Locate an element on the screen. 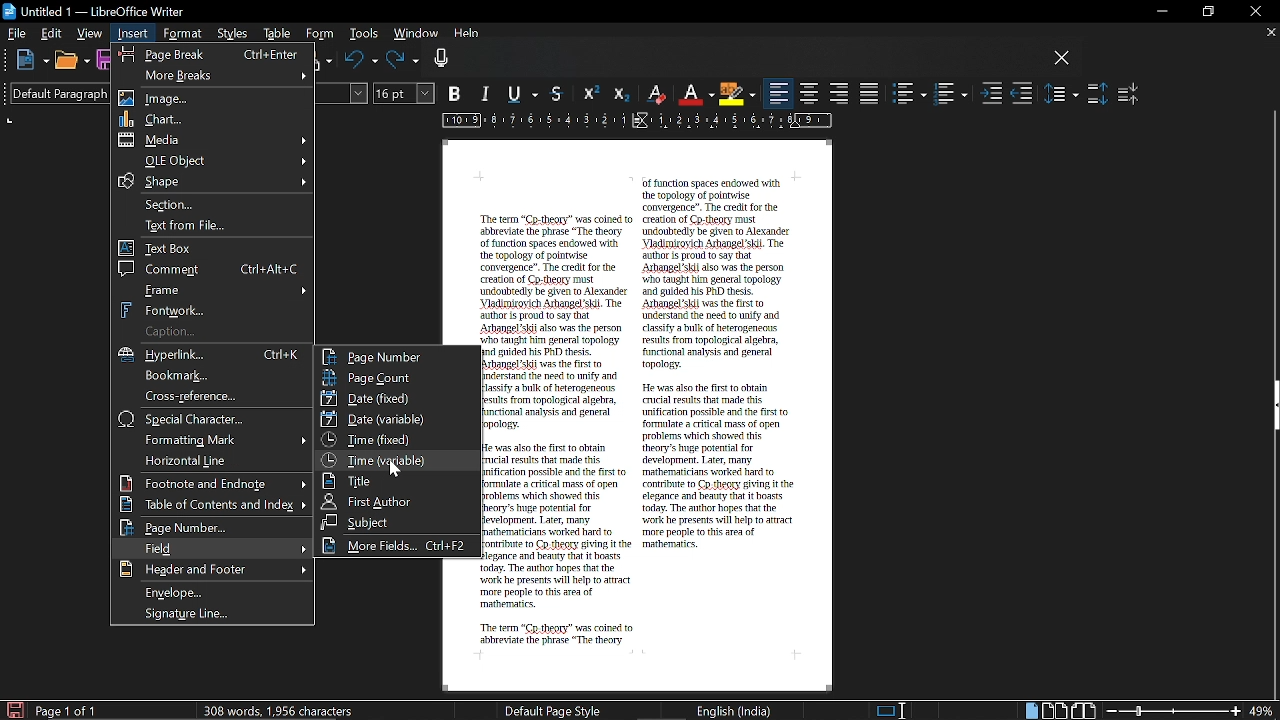  306 words, 1956 characters is located at coordinates (282, 710).